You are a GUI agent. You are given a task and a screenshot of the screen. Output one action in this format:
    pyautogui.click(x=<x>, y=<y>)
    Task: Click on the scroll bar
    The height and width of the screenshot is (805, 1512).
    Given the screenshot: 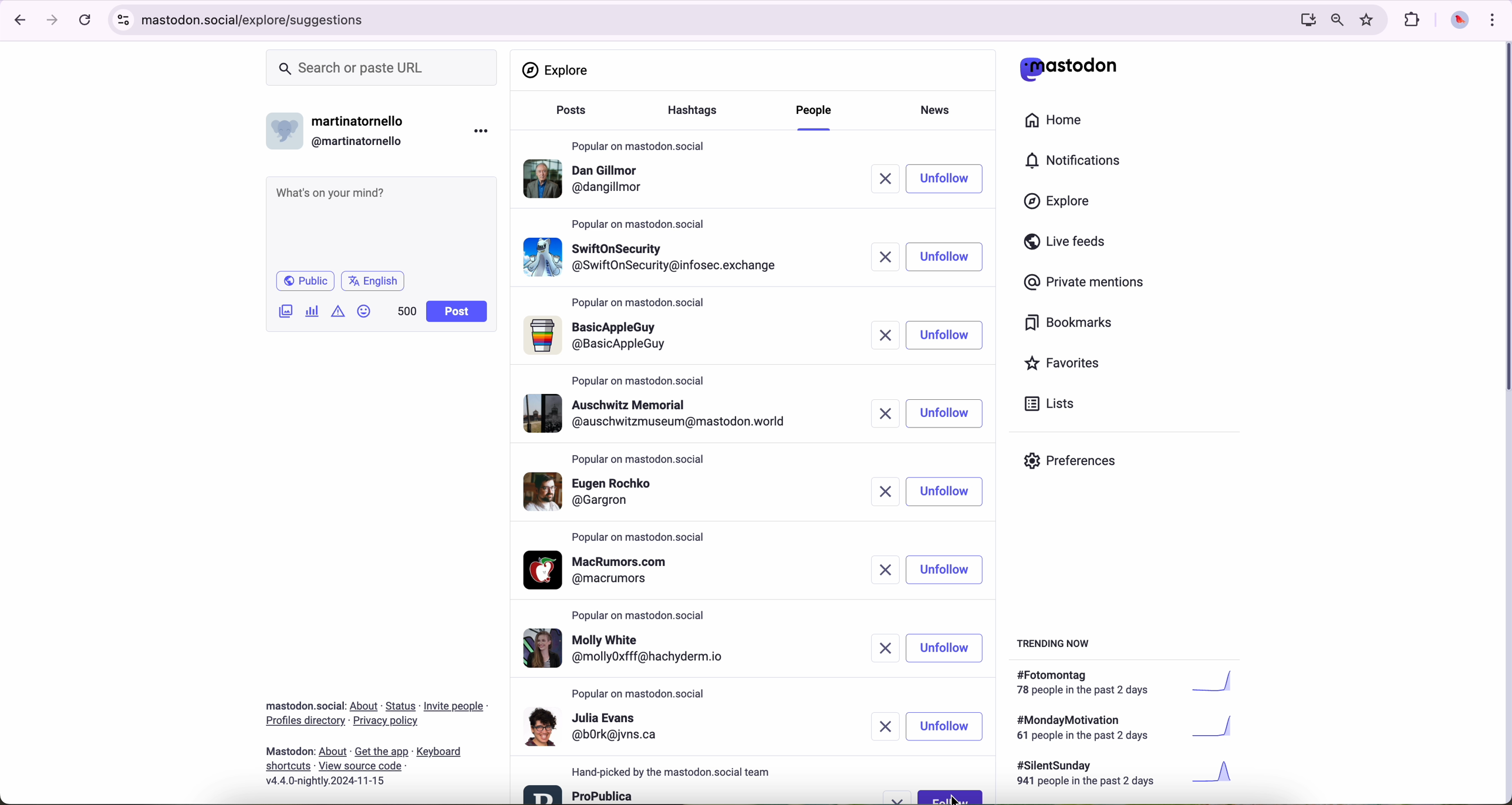 What is the action you would take?
    pyautogui.click(x=1503, y=220)
    